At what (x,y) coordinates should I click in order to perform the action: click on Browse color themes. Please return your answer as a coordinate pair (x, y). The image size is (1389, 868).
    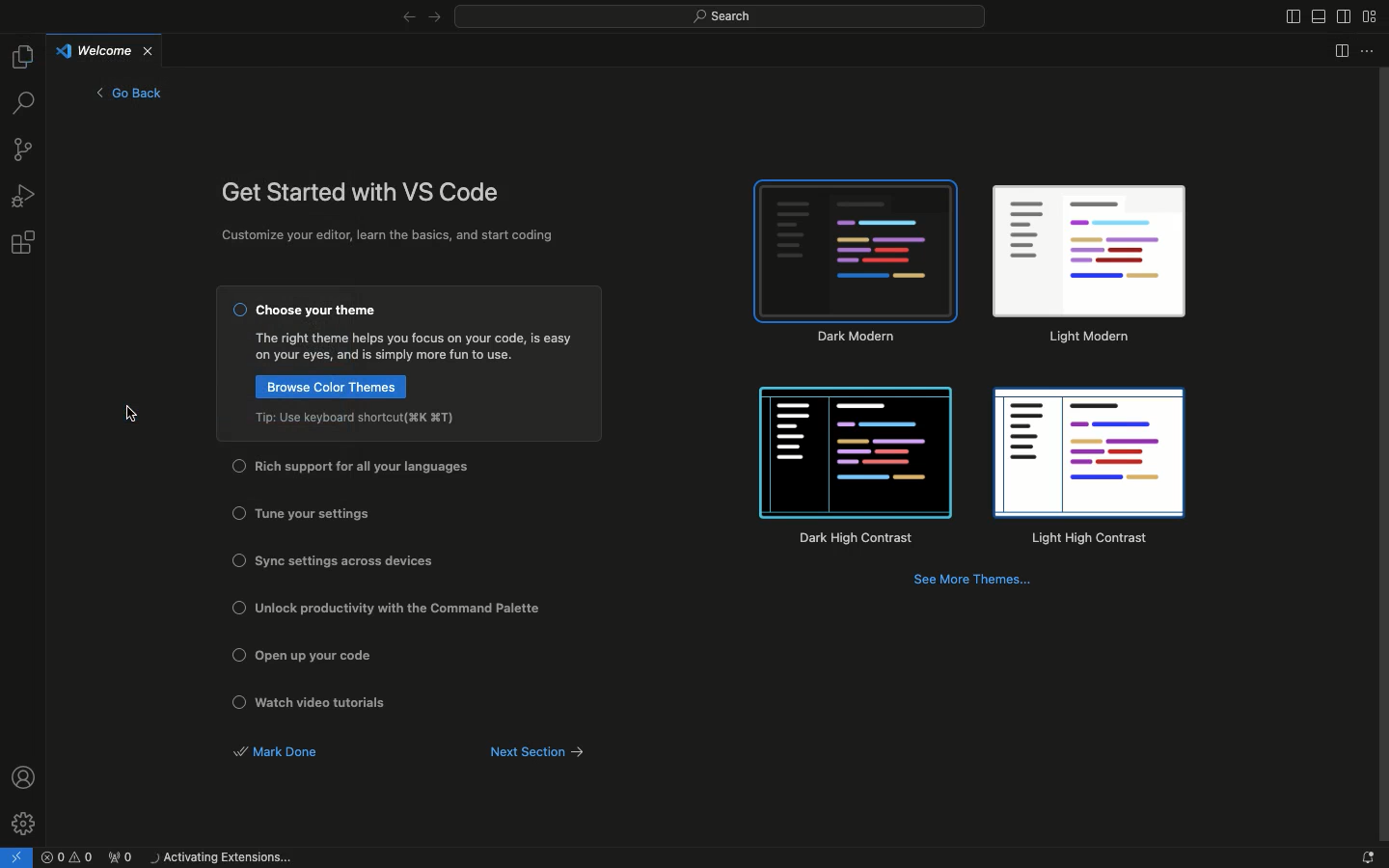
    Looking at the image, I should click on (329, 386).